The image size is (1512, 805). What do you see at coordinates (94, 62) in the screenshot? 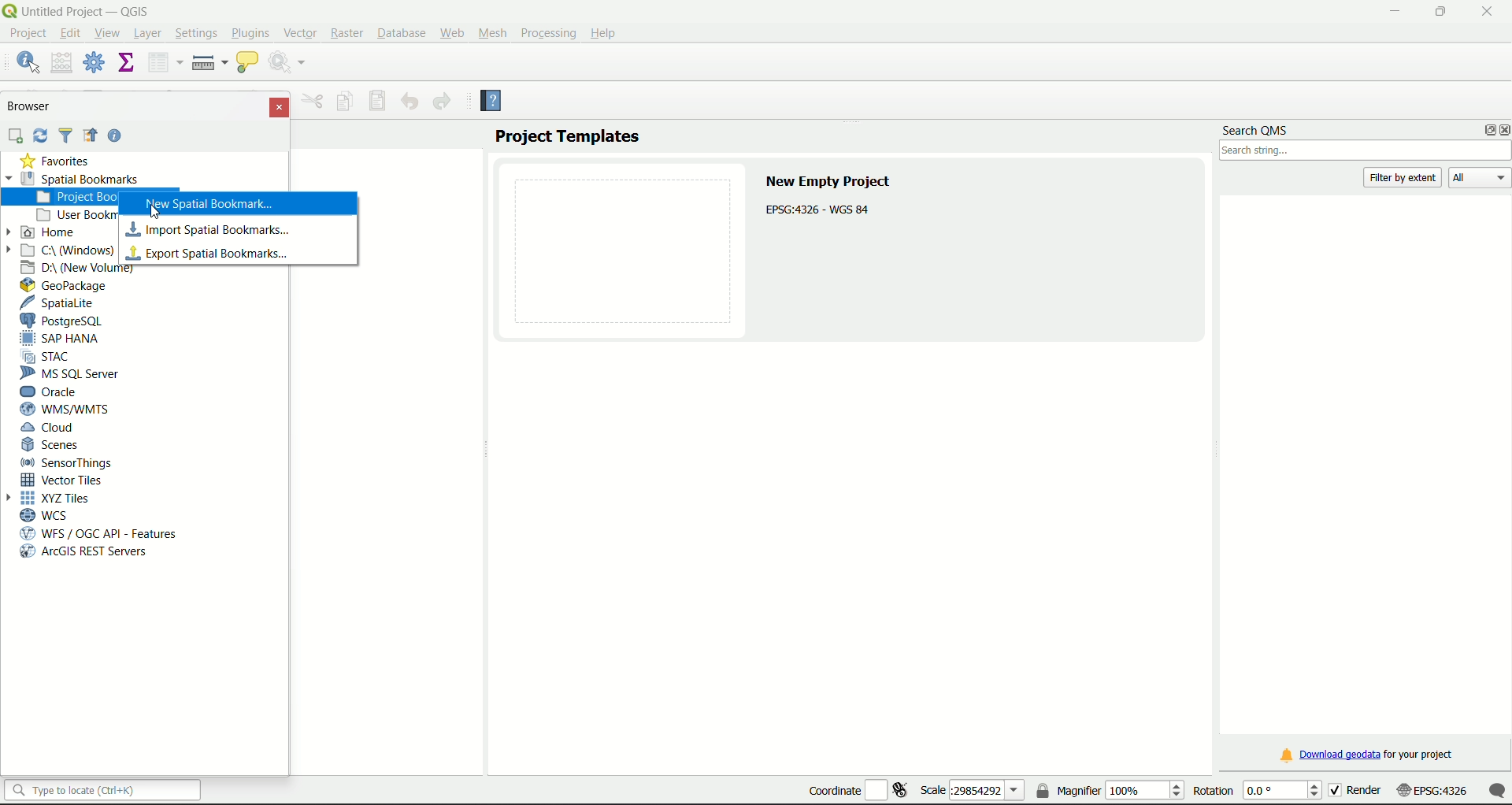
I see `toolbox` at bounding box center [94, 62].